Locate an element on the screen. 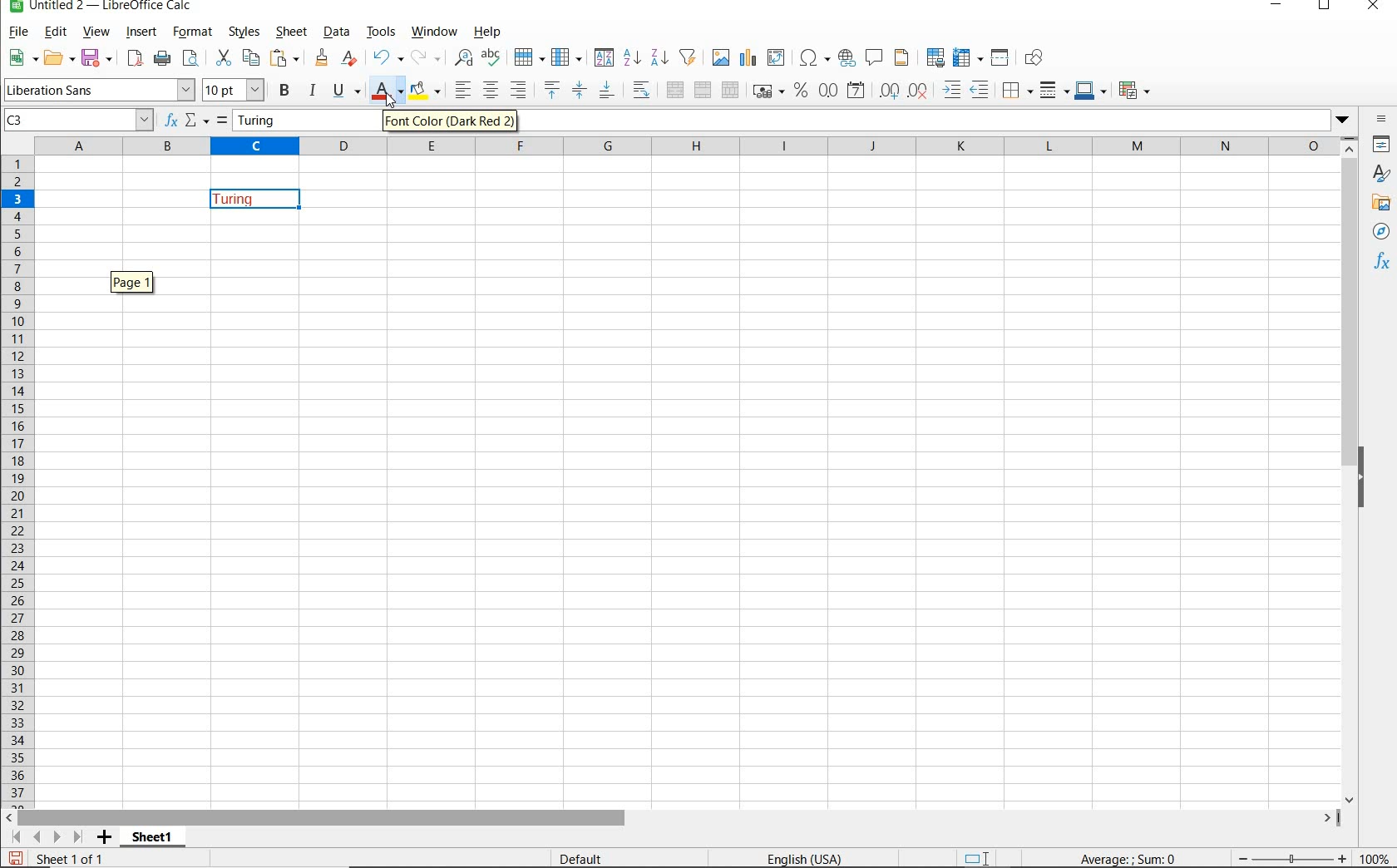  Font Color (Dark Red 2) is located at coordinates (451, 123).